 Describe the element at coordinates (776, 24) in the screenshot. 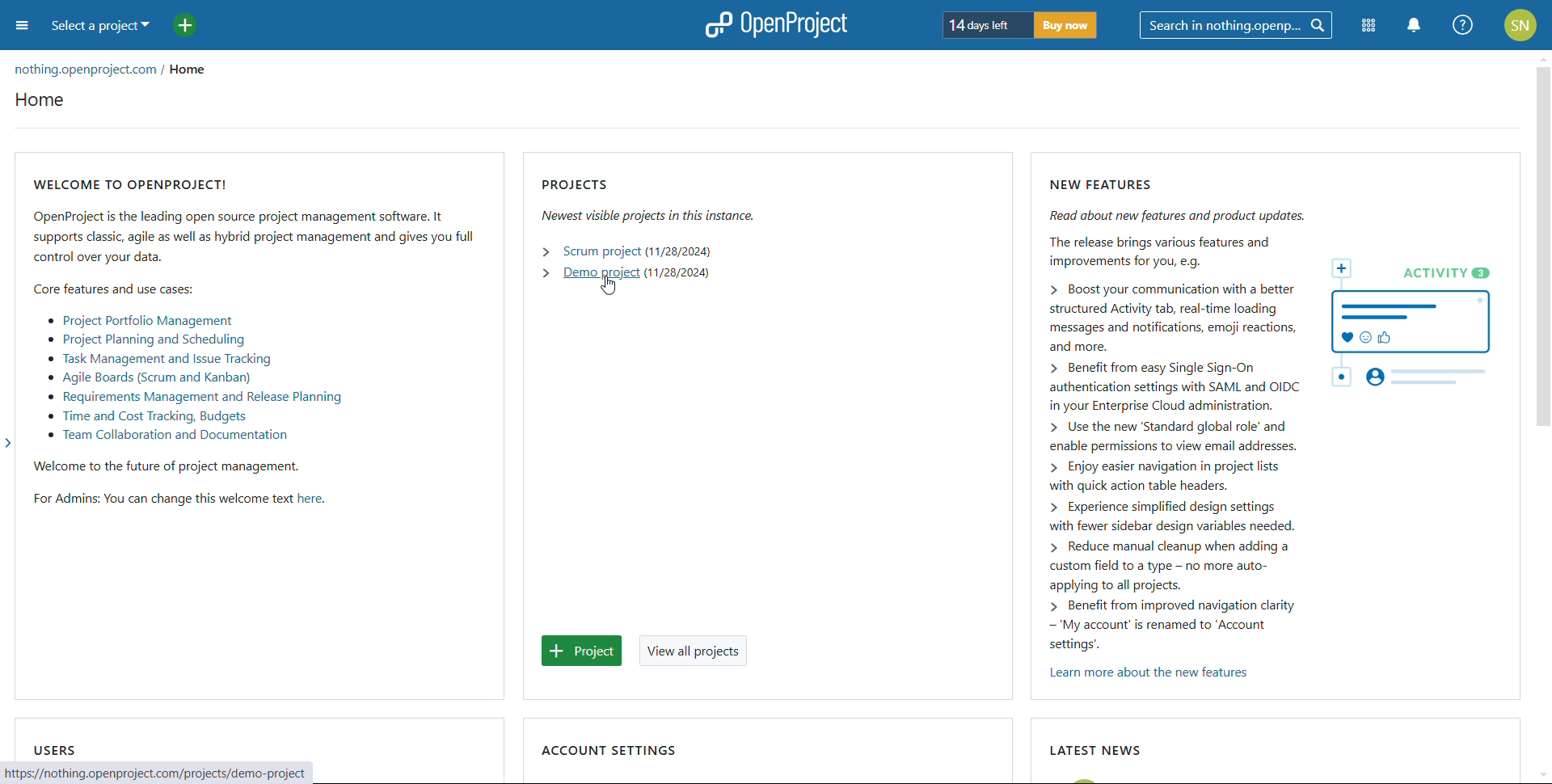

I see `logo` at that location.